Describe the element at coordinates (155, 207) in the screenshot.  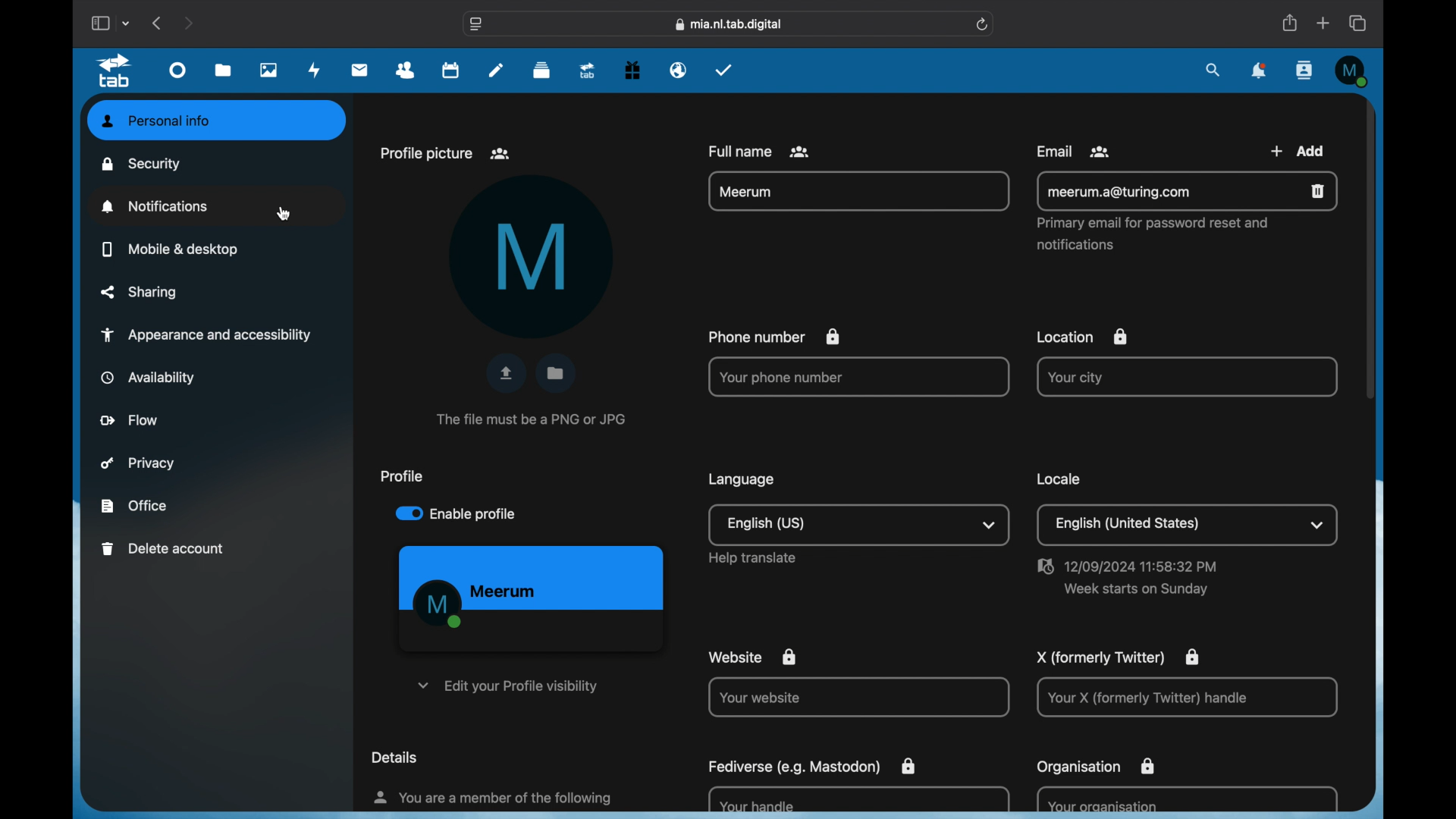
I see `notifications` at that location.